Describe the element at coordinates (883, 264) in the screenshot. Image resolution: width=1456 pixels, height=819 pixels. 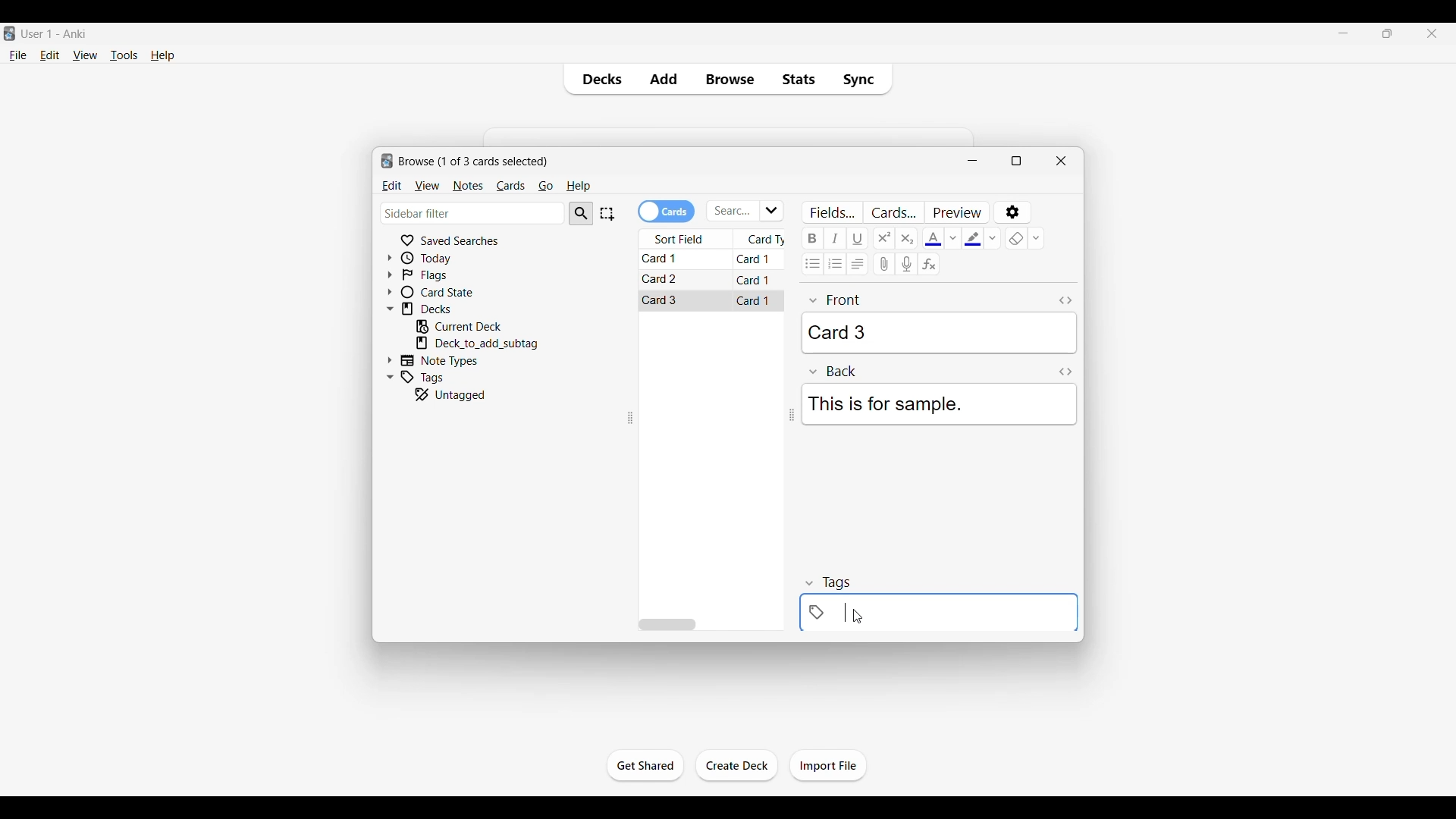
I see `Attach audio/video/picture` at that location.